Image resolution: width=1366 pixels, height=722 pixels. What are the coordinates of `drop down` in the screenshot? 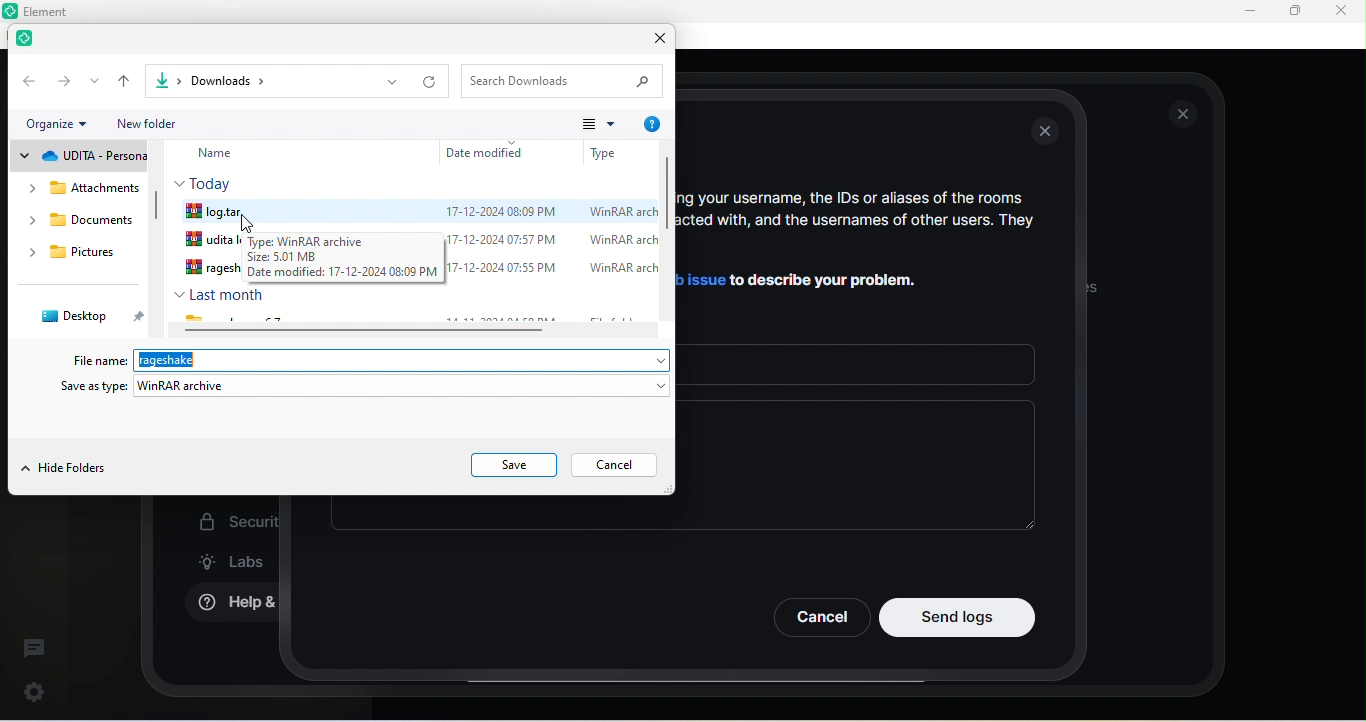 It's located at (95, 81).